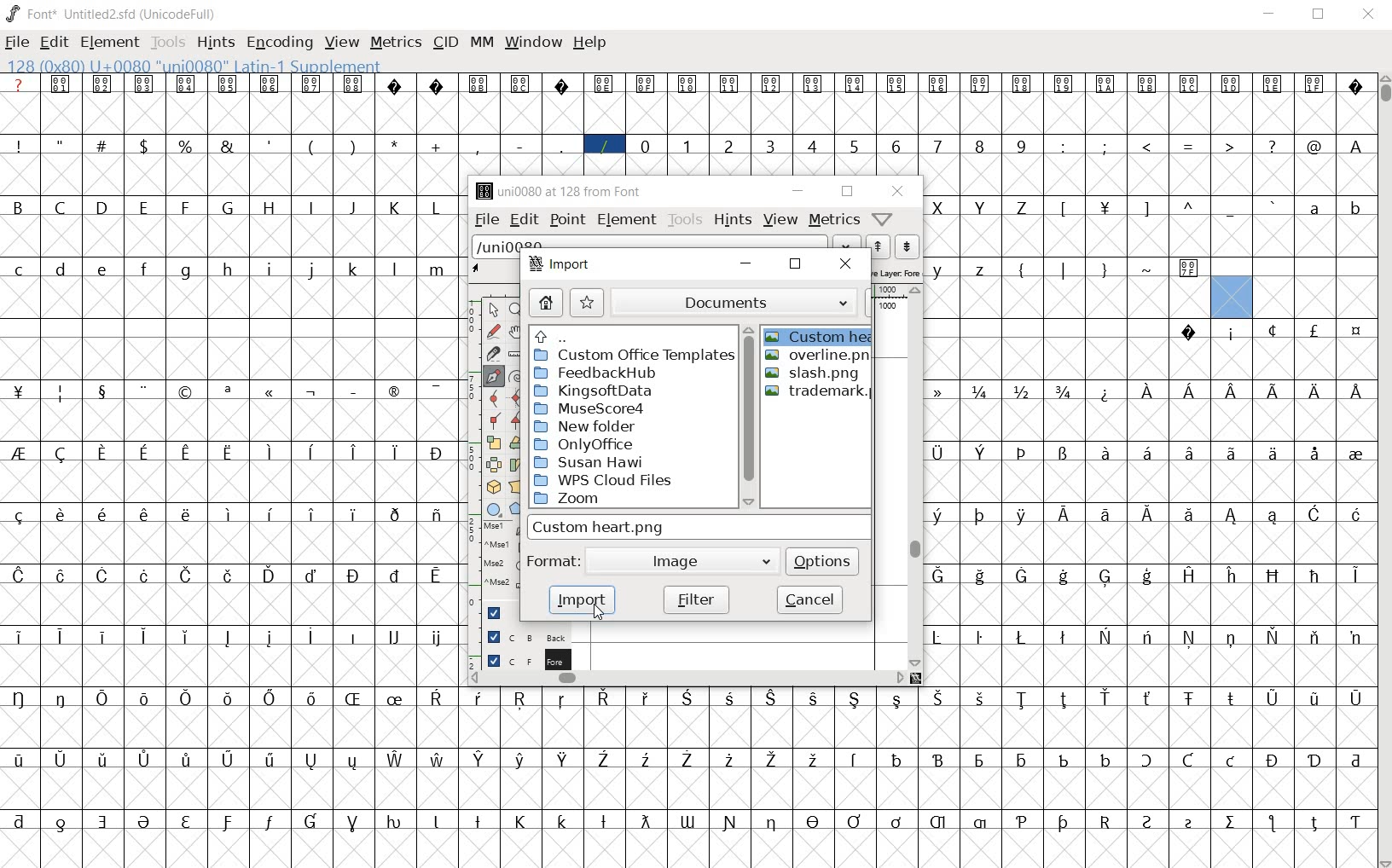 Image resolution: width=1392 pixels, height=868 pixels. I want to click on resize, so click(917, 678).